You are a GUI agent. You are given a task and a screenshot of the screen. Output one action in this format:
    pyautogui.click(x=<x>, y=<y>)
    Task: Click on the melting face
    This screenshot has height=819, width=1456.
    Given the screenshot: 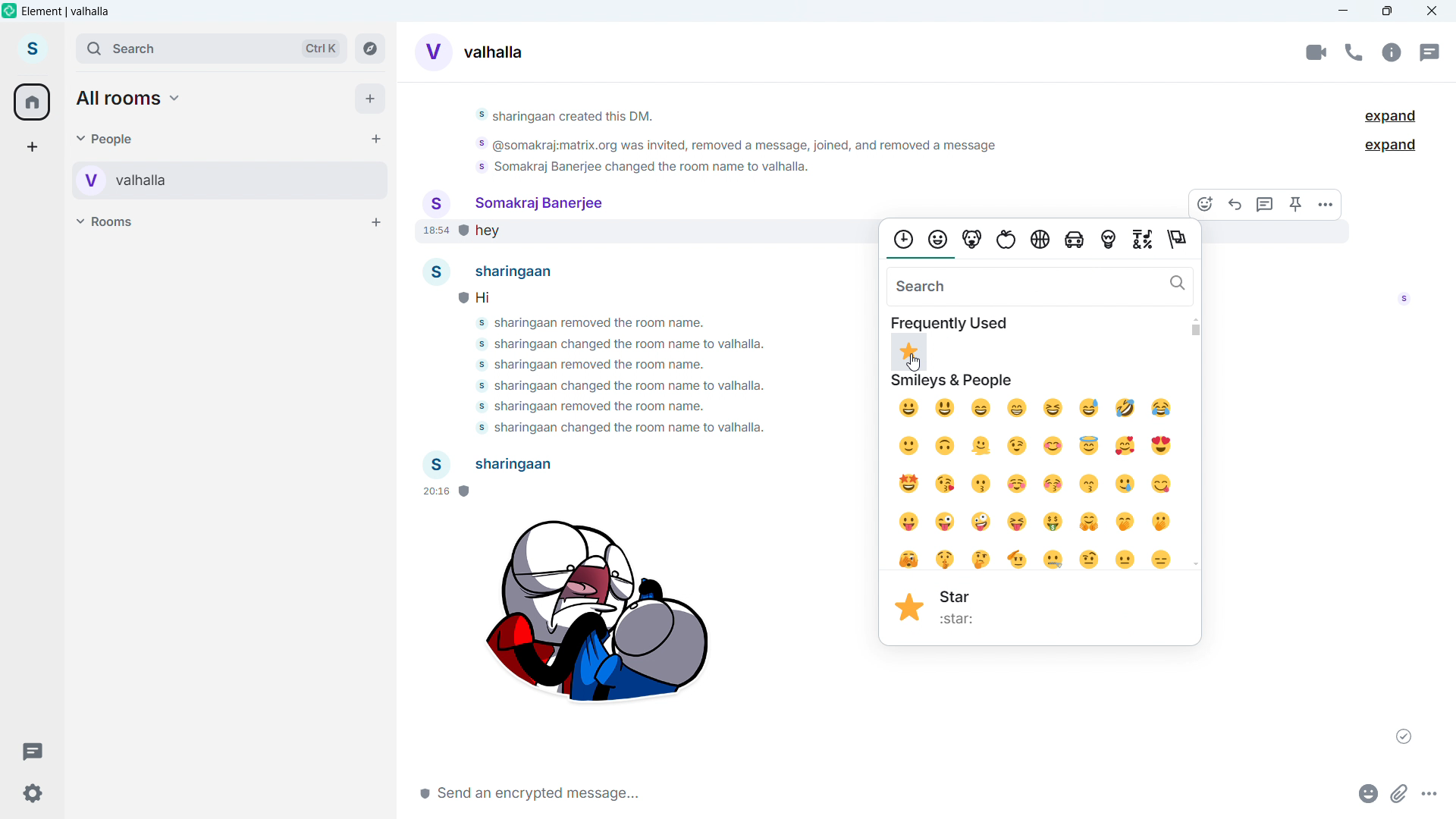 What is the action you would take?
    pyautogui.click(x=983, y=447)
    